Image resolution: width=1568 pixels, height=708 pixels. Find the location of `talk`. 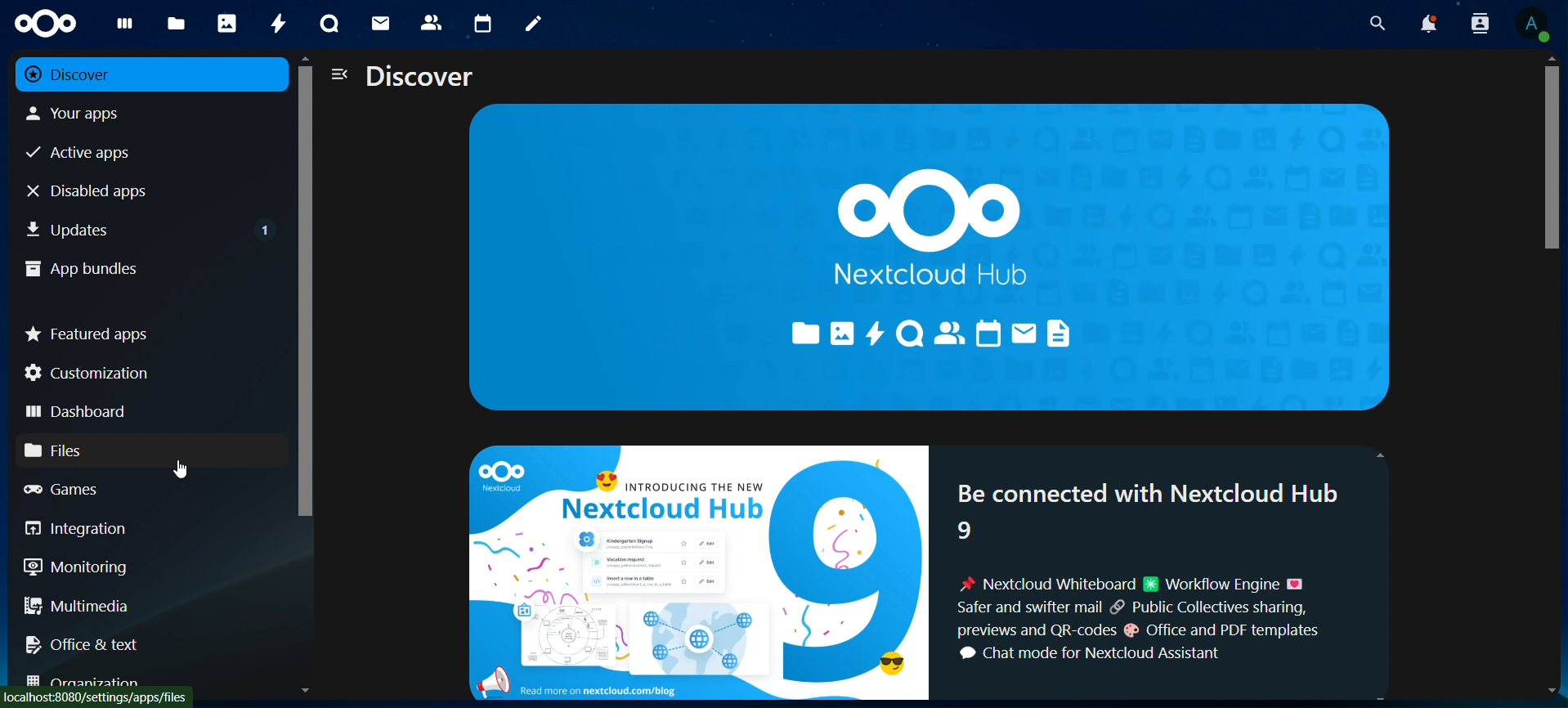

talk is located at coordinates (329, 24).